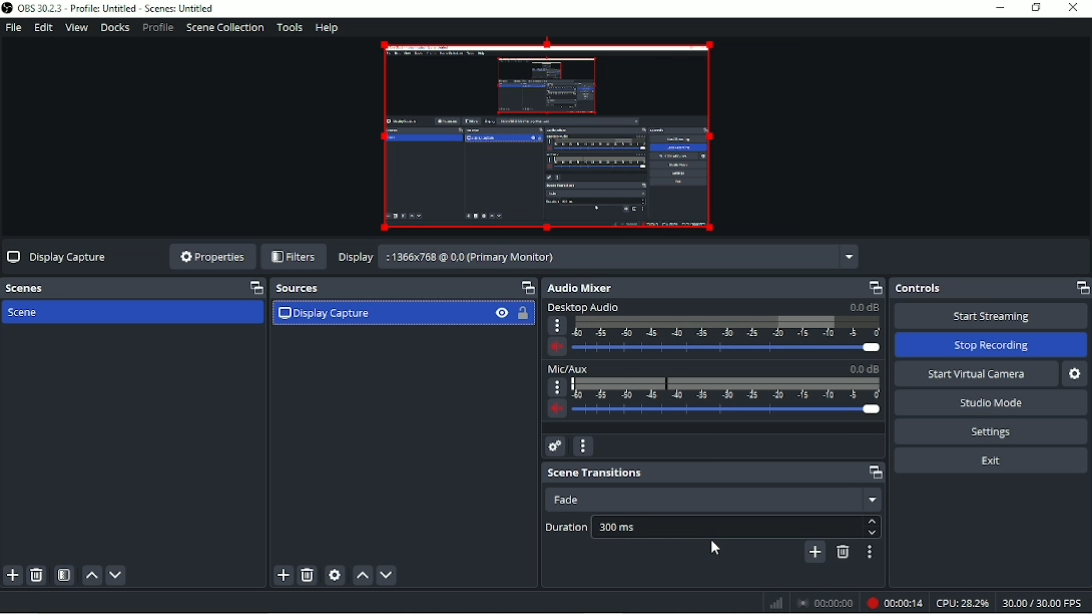 This screenshot has height=614, width=1092. Describe the element at coordinates (1072, 554) in the screenshot. I see `Add configurable transition` at that location.